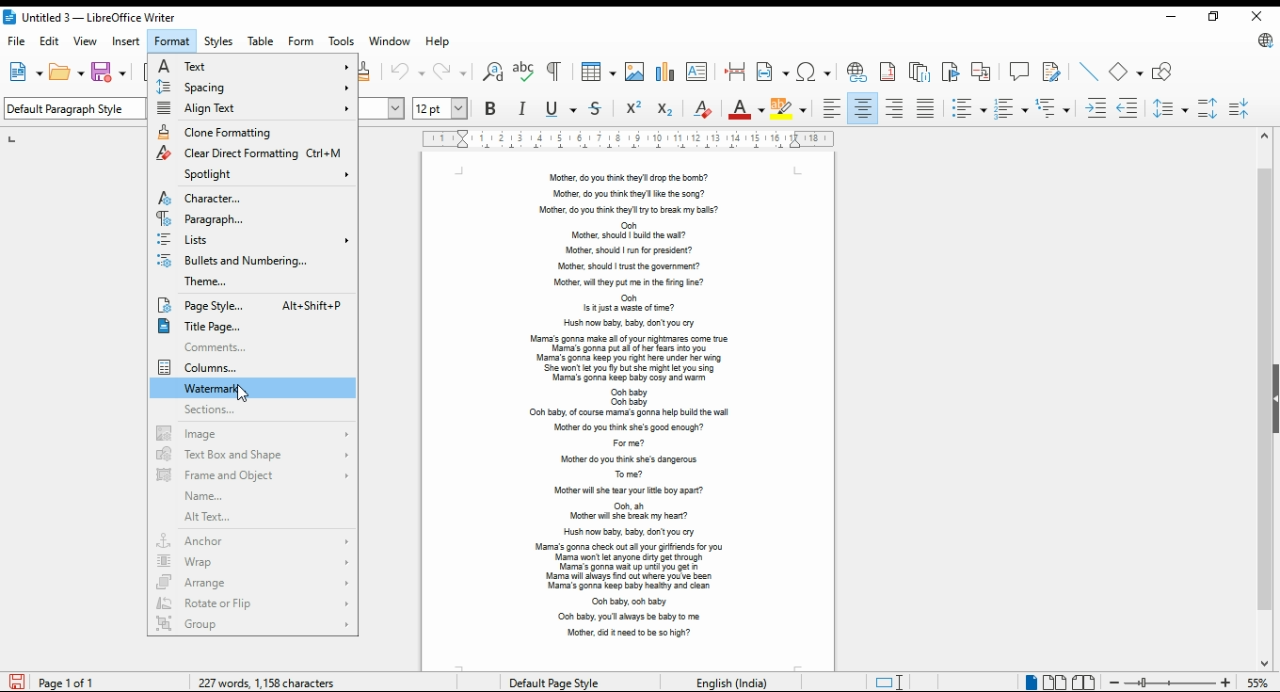  I want to click on justified, so click(927, 108).